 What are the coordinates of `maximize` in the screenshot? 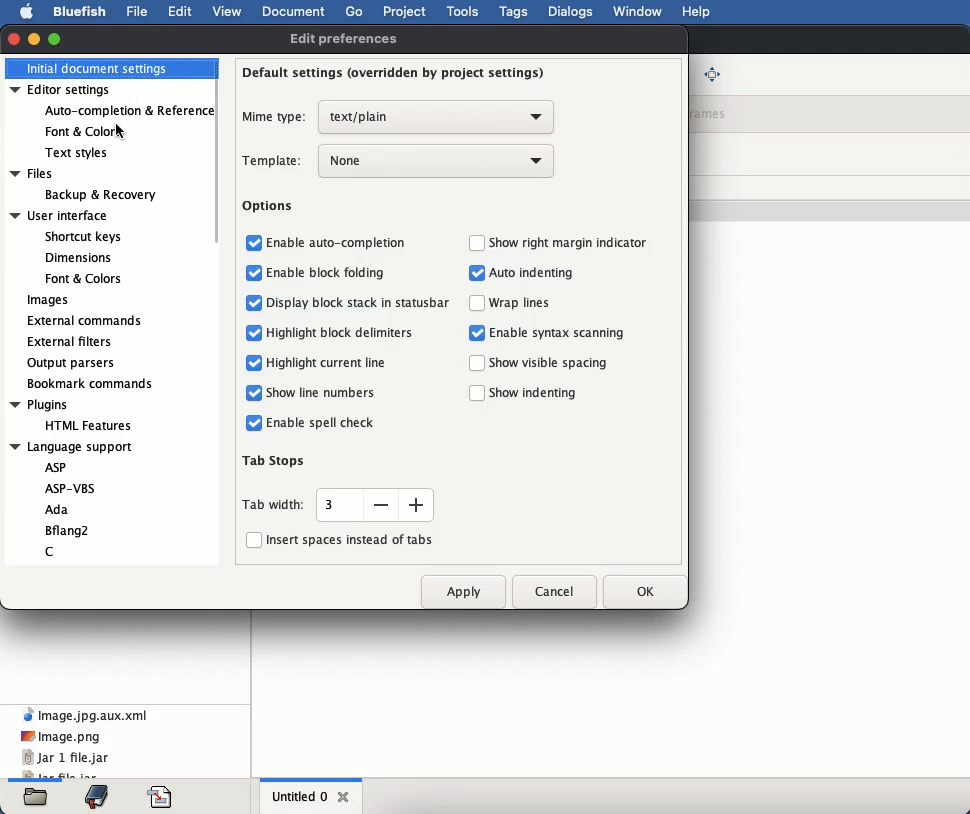 It's located at (56, 37).